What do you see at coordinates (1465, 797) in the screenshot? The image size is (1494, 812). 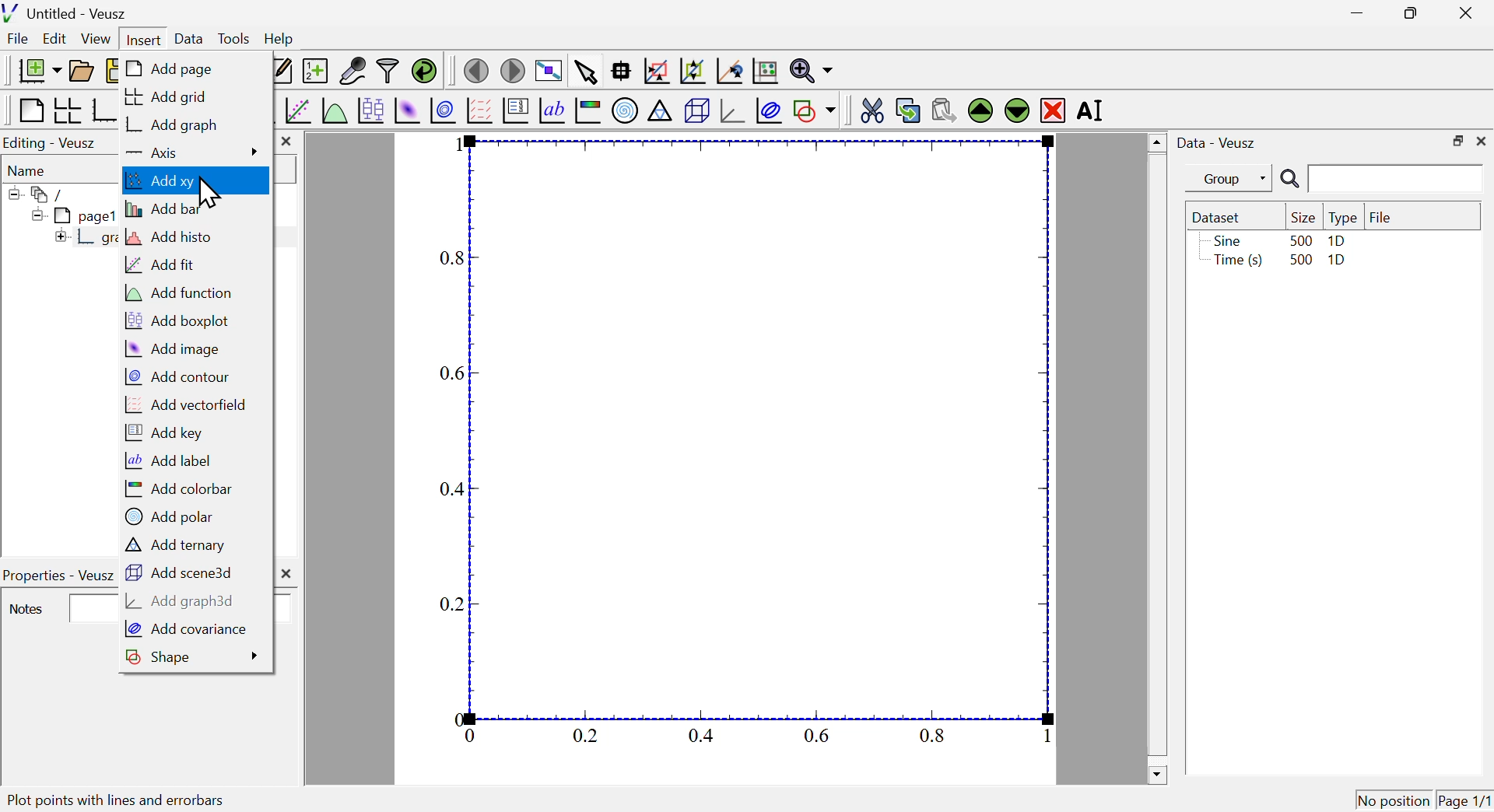 I see `page1/1` at bounding box center [1465, 797].